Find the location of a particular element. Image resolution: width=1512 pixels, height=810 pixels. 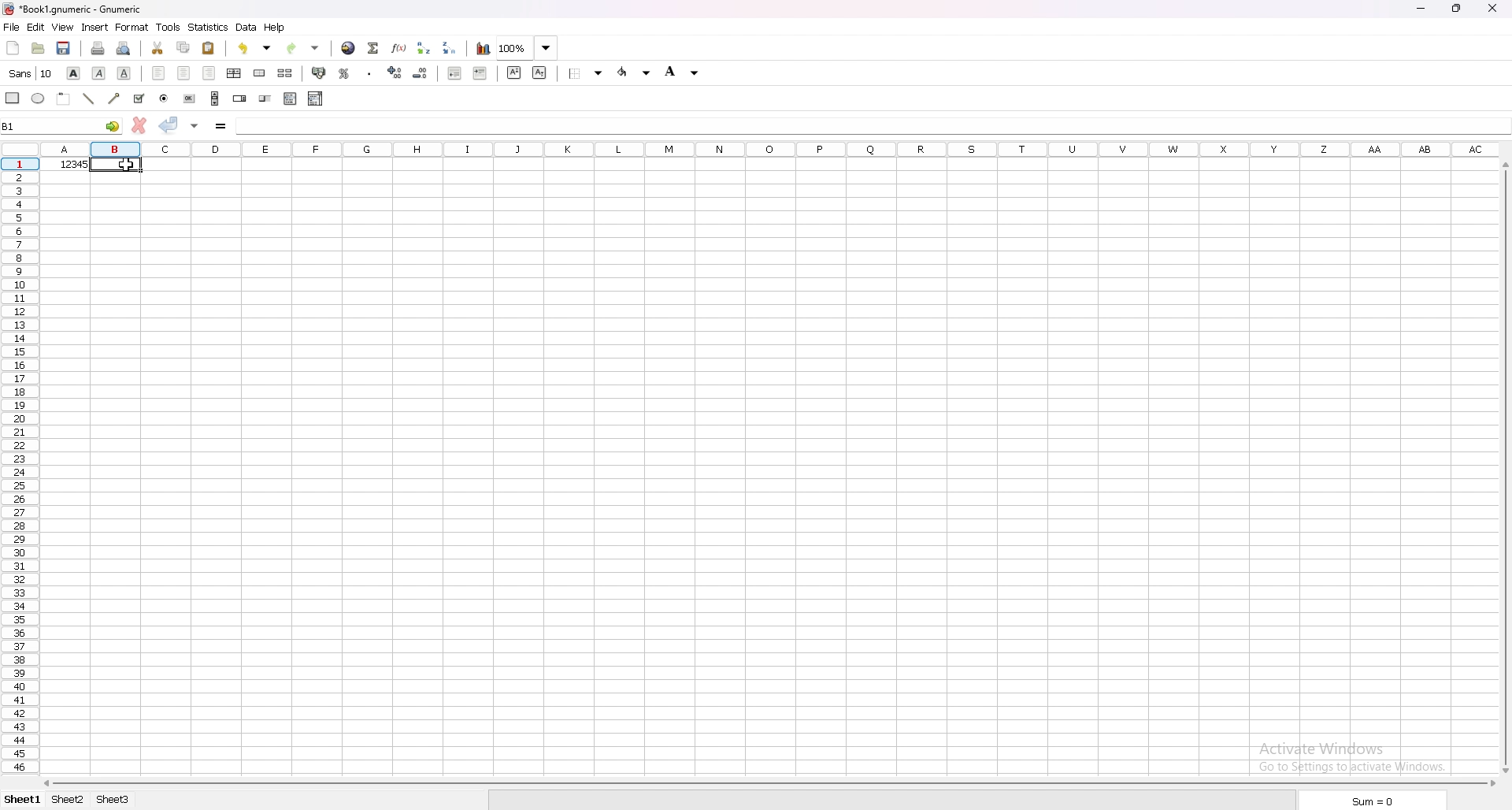

close is located at coordinates (1493, 9).